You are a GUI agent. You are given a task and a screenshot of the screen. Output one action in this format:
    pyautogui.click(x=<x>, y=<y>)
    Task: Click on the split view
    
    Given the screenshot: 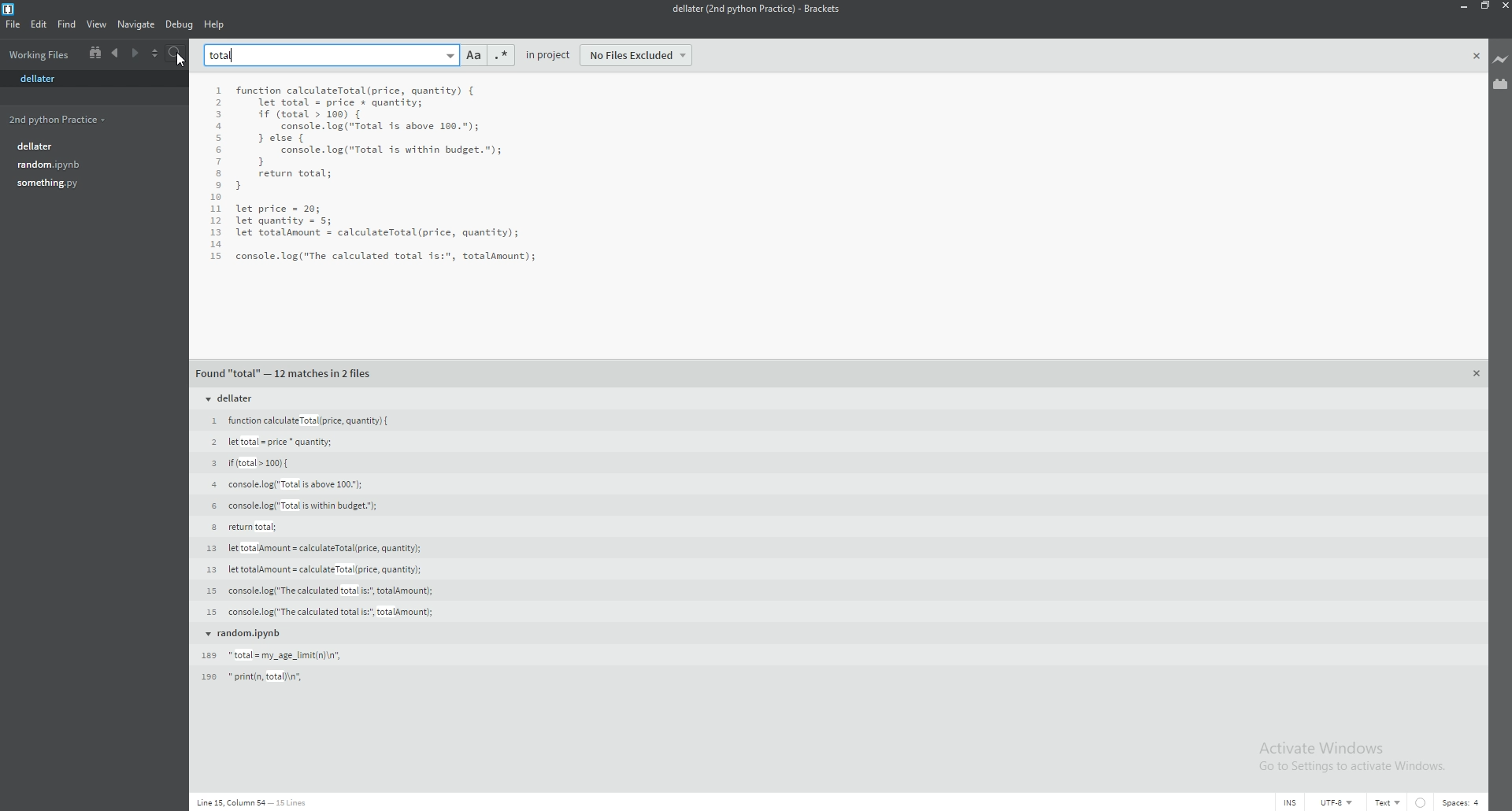 What is the action you would take?
    pyautogui.click(x=95, y=54)
    